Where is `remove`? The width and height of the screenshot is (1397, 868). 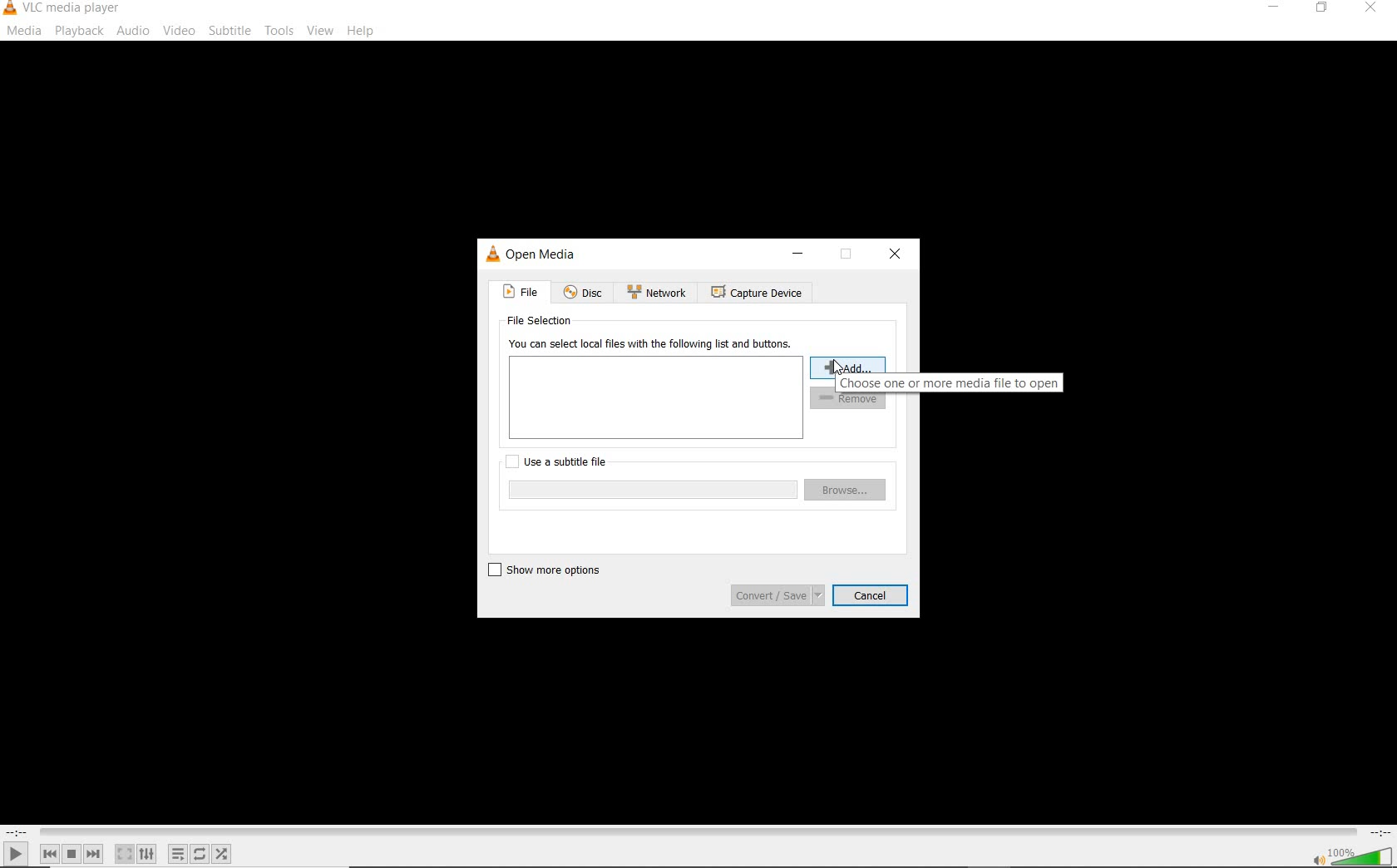
remove is located at coordinates (850, 398).